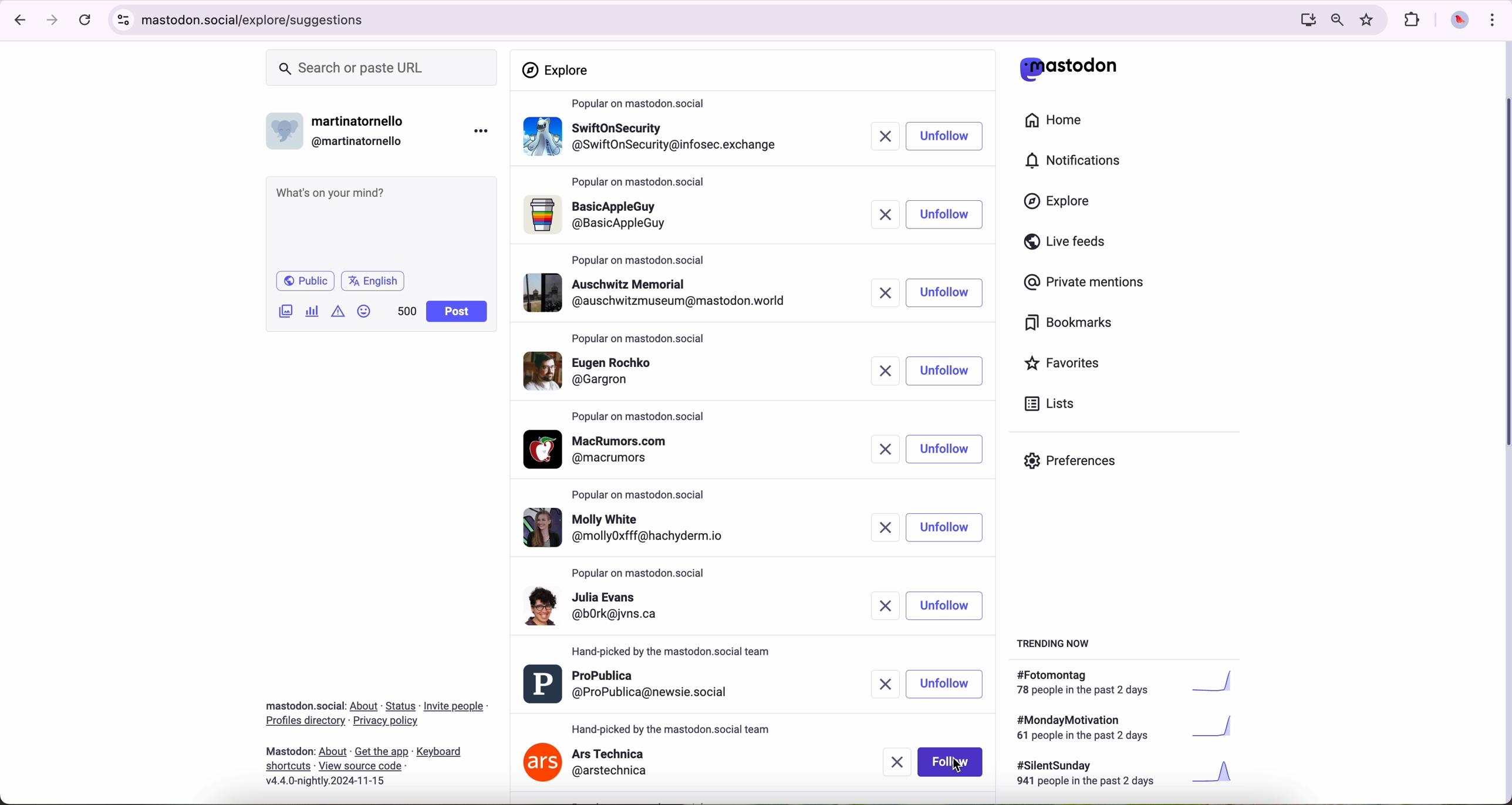 Image resolution: width=1512 pixels, height=805 pixels. I want to click on extensions, so click(1413, 20).